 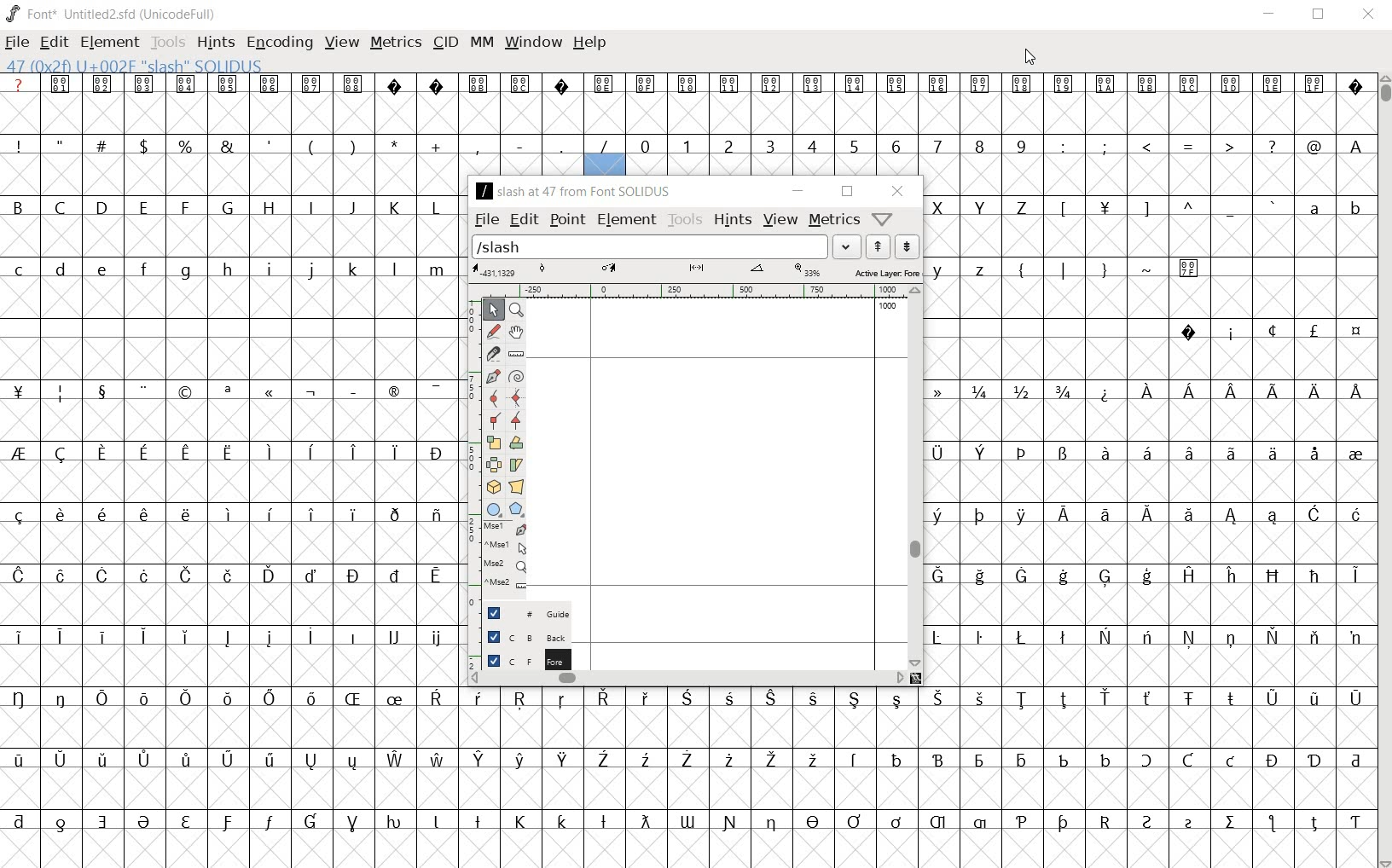 What do you see at coordinates (531, 43) in the screenshot?
I see `WINDOW` at bounding box center [531, 43].